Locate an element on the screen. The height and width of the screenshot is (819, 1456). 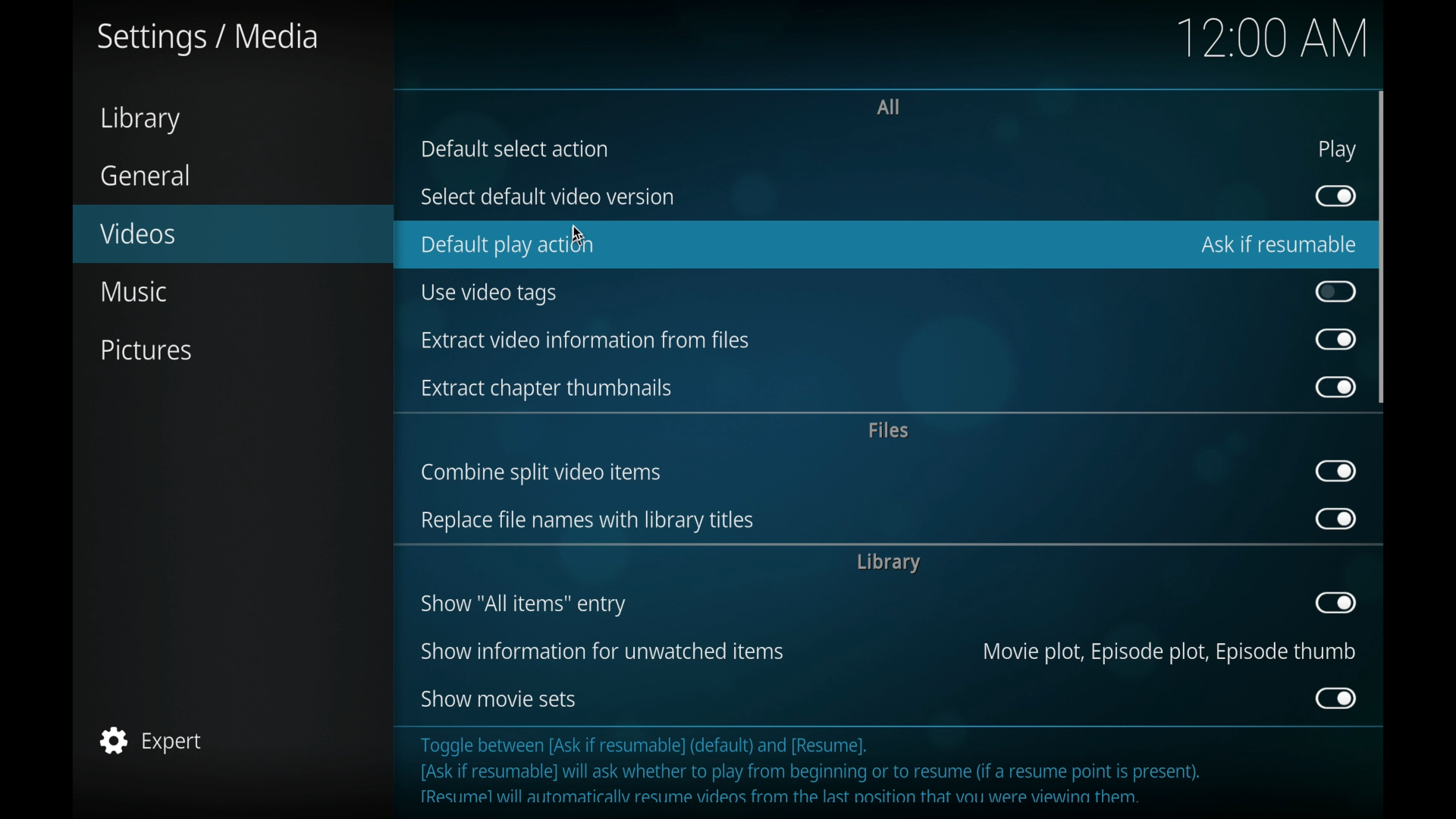
pictures is located at coordinates (150, 350).